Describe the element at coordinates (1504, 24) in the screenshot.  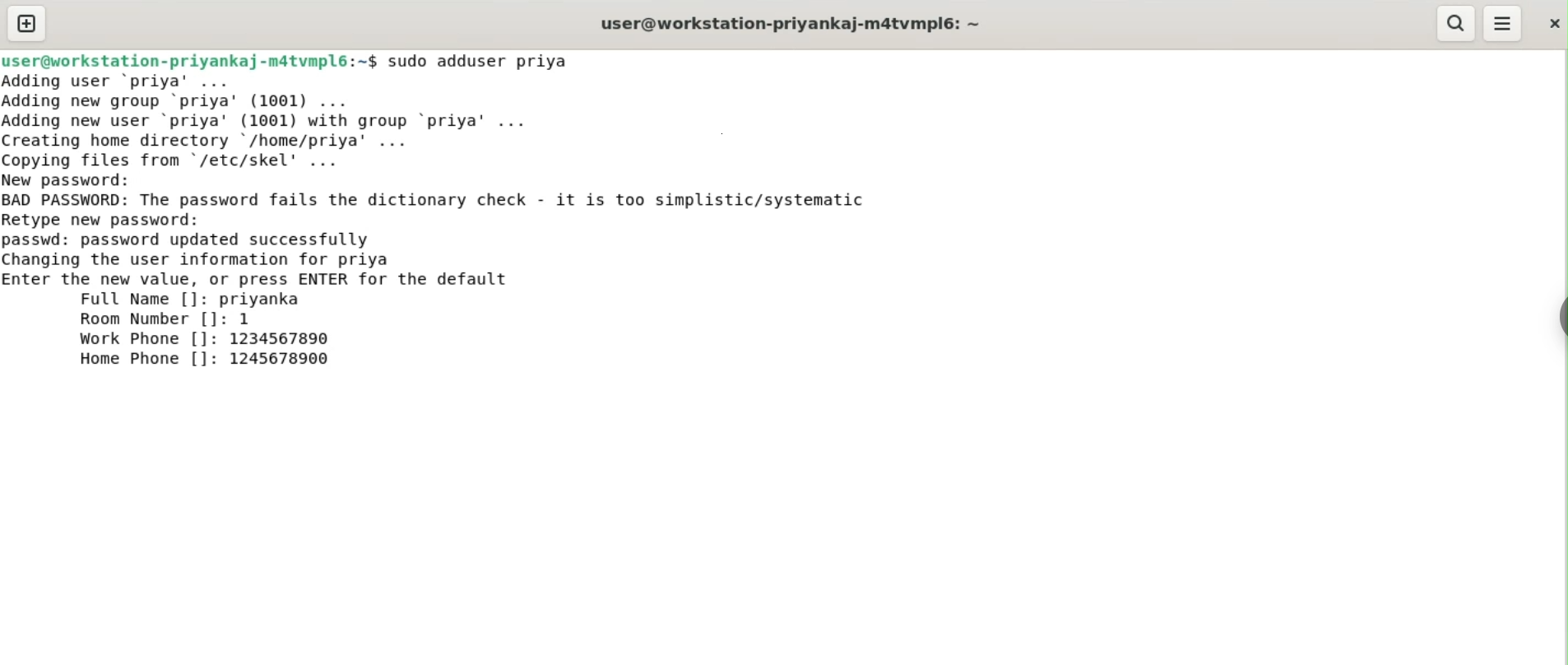
I see `menu` at that location.